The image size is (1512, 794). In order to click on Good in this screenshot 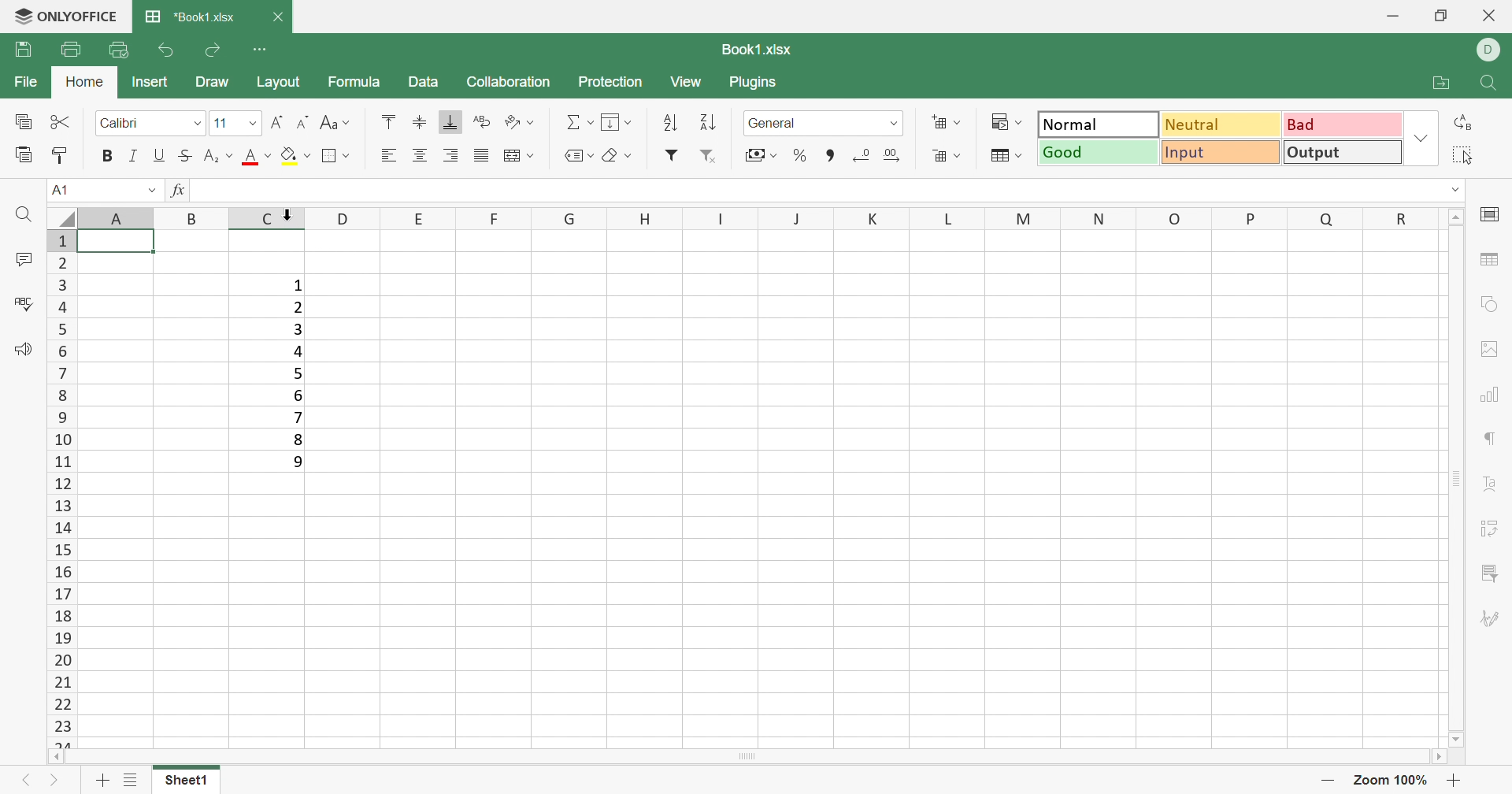, I will do `click(1099, 153)`.